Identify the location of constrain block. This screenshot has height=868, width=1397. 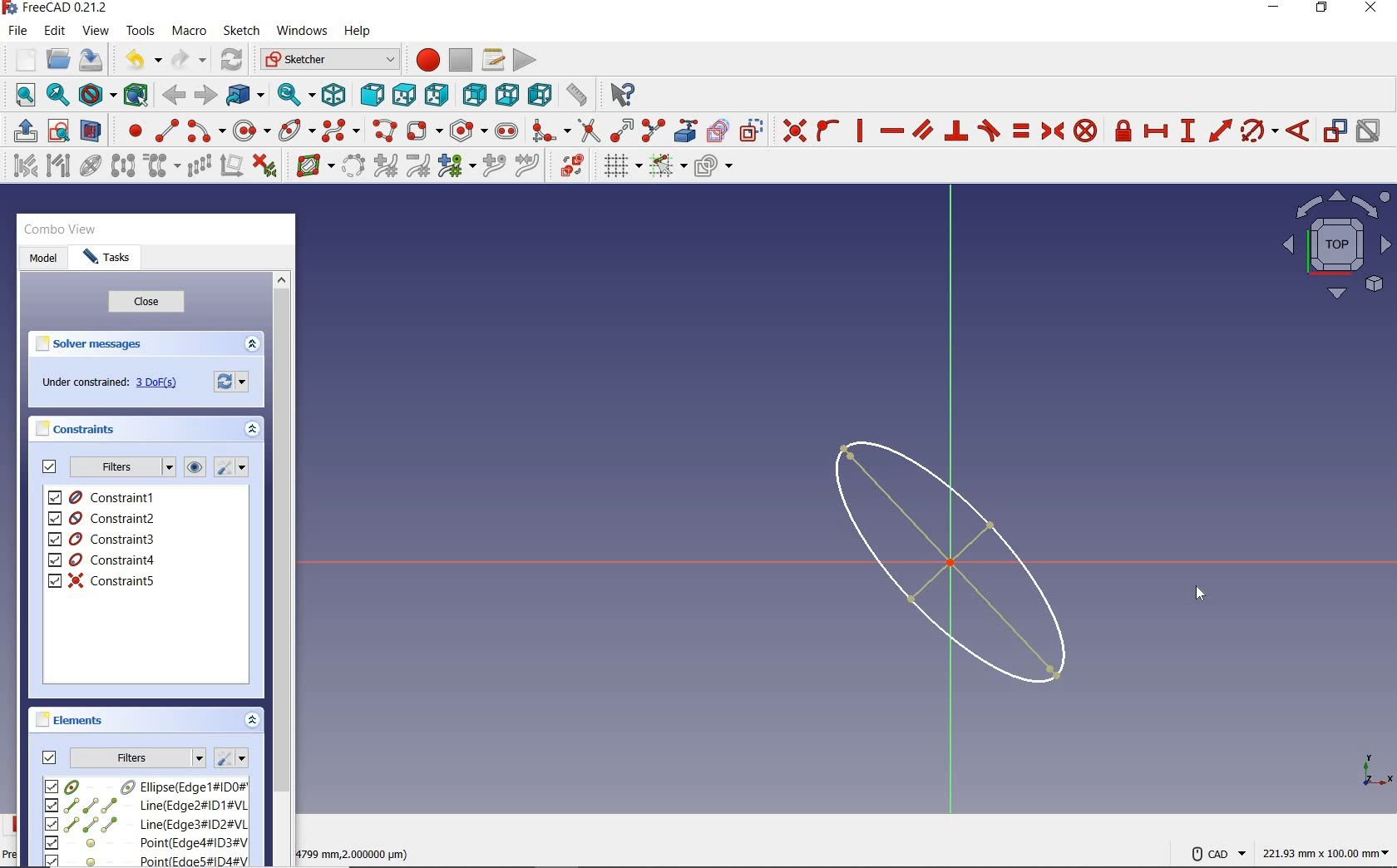
(1084, 130).